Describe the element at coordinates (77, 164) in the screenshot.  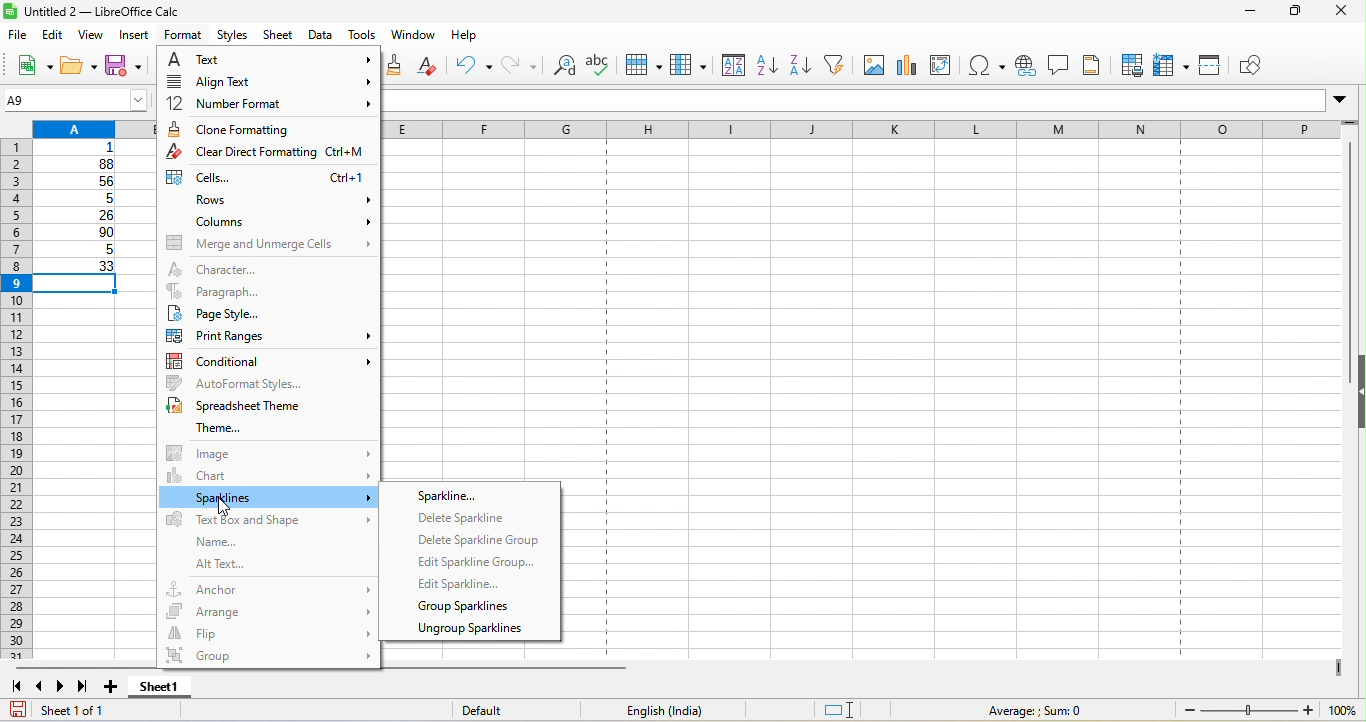
I see `88` at that location.